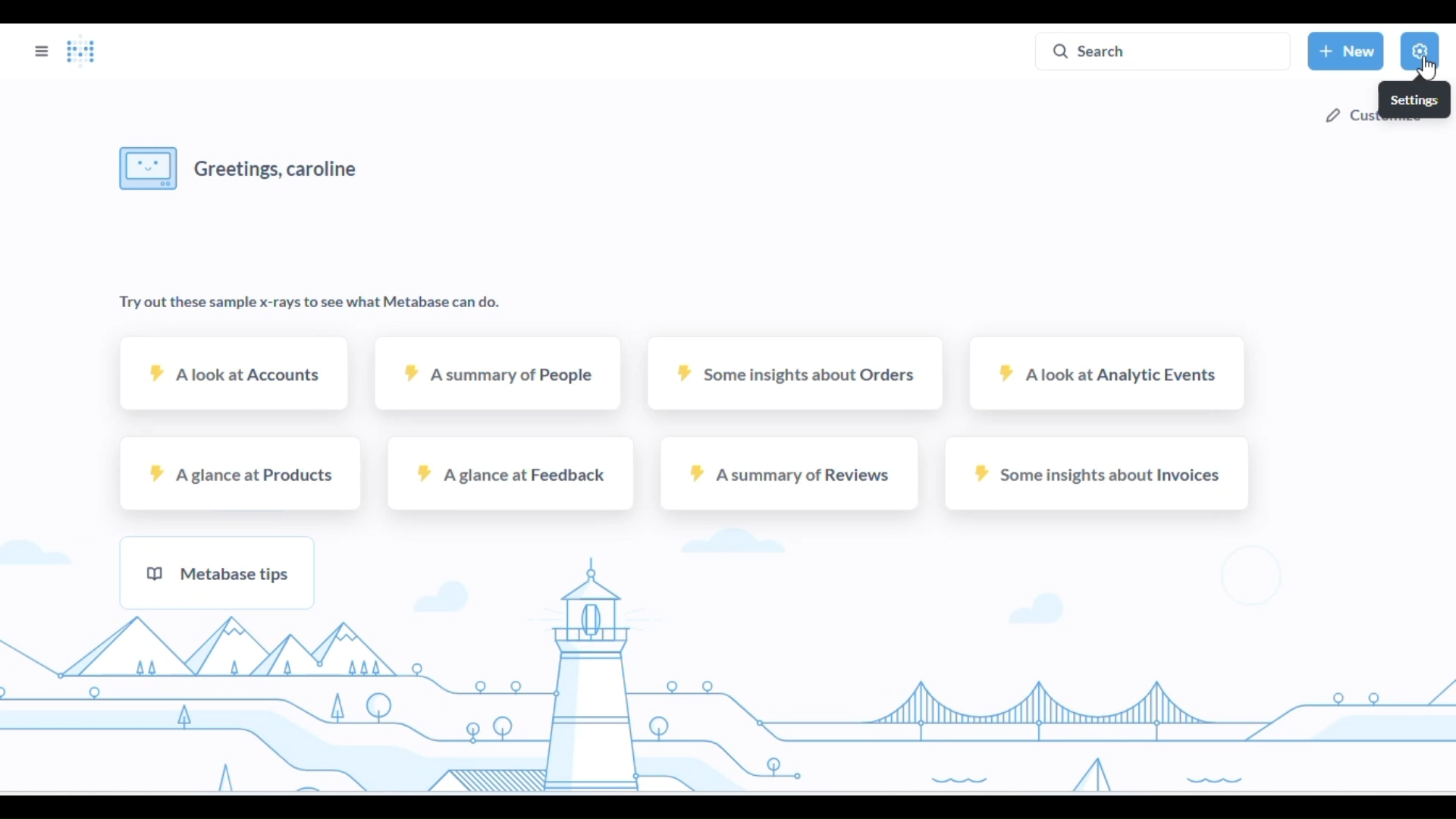 The image size is (1456, 819). What do you see at coordinates (788, 473) in the screenshot?
I see `a summary of reviews` at bounding box center [788, 473].